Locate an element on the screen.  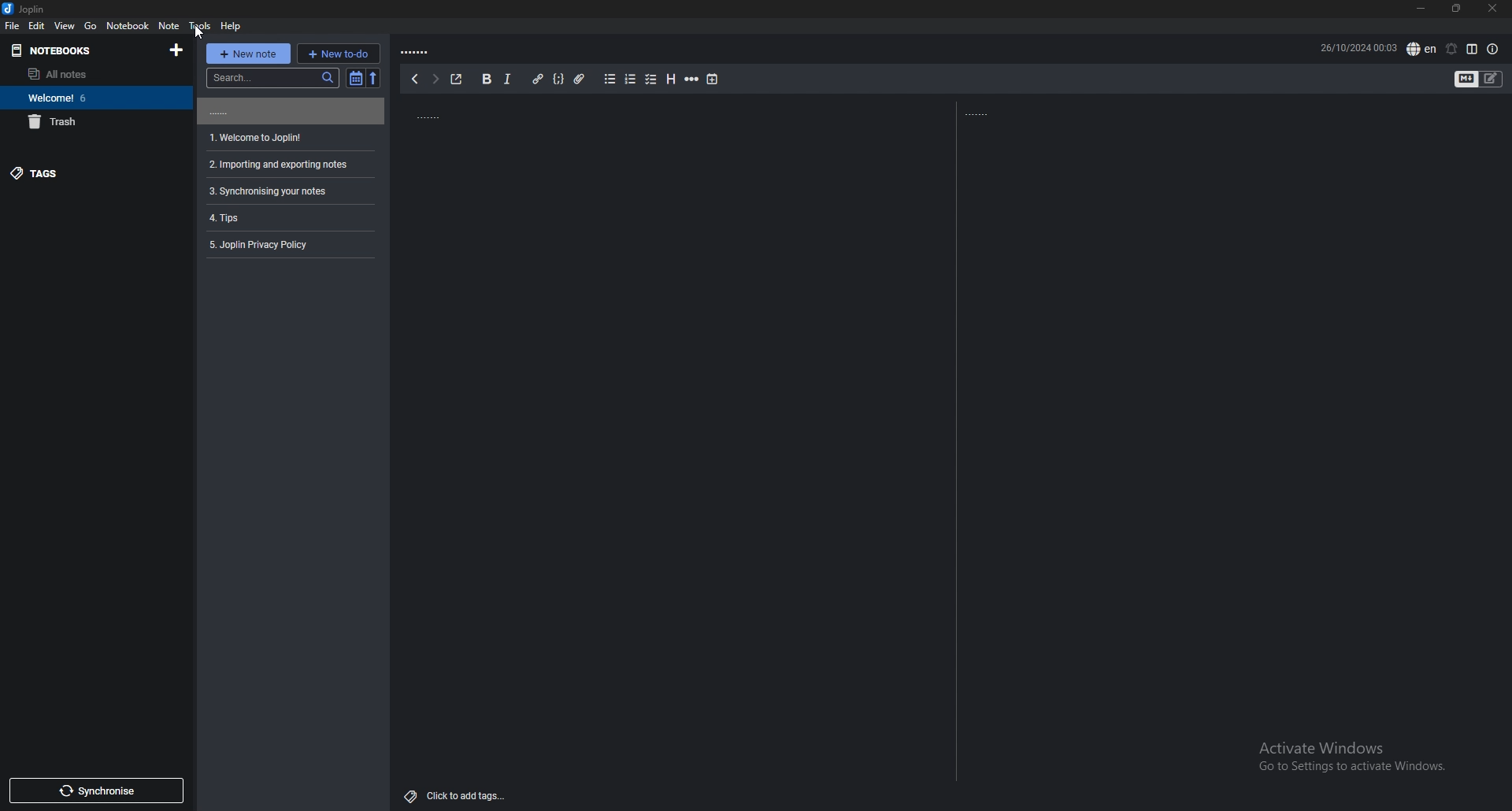
checkbox is located at coordinates (651, 78).